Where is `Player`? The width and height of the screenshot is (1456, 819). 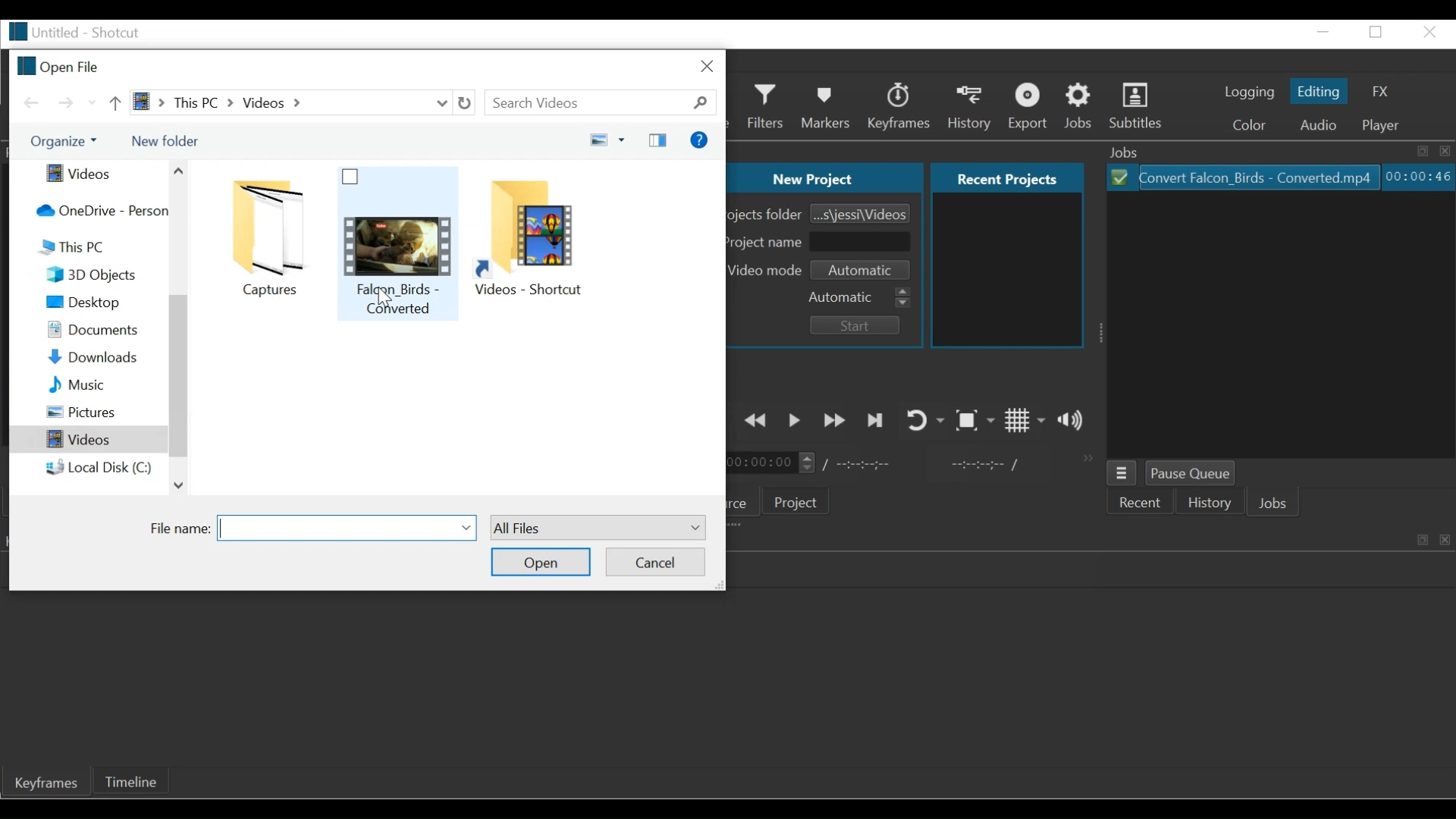 Player is located at coordinates (1382, 126).